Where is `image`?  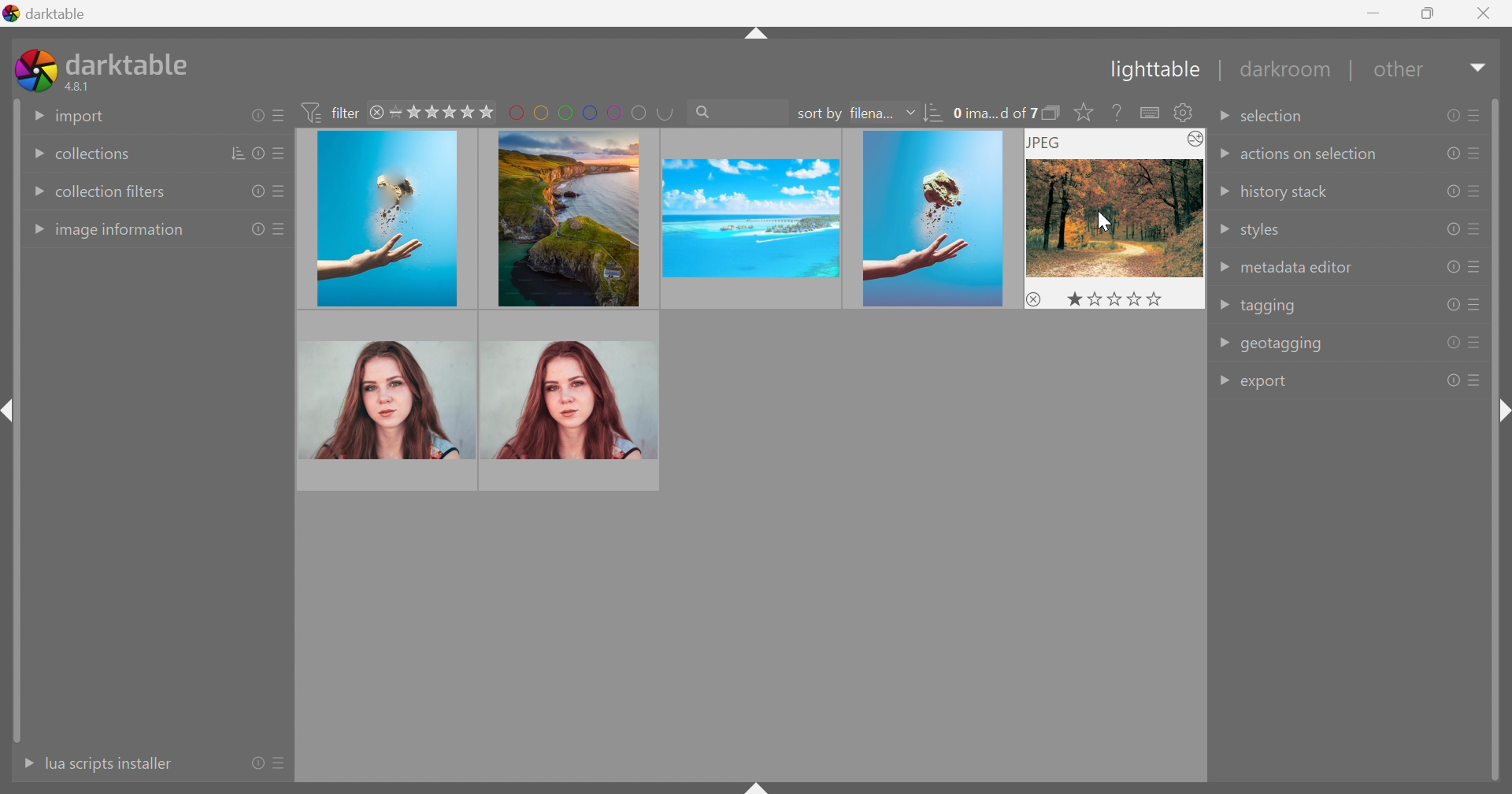 image is located at coordinates (565, 217).